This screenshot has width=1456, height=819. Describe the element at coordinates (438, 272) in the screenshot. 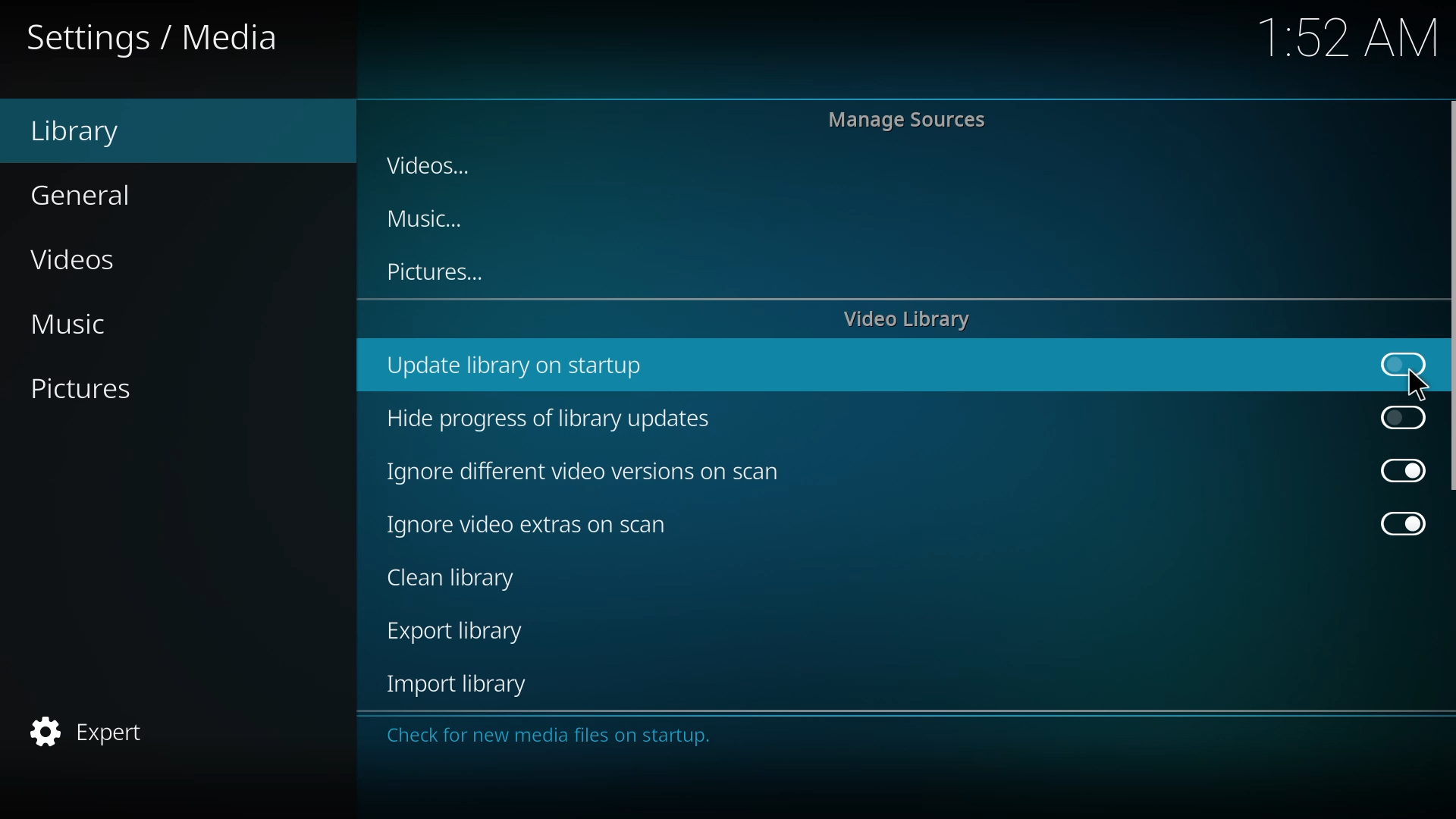

I see `pictures` at that location.